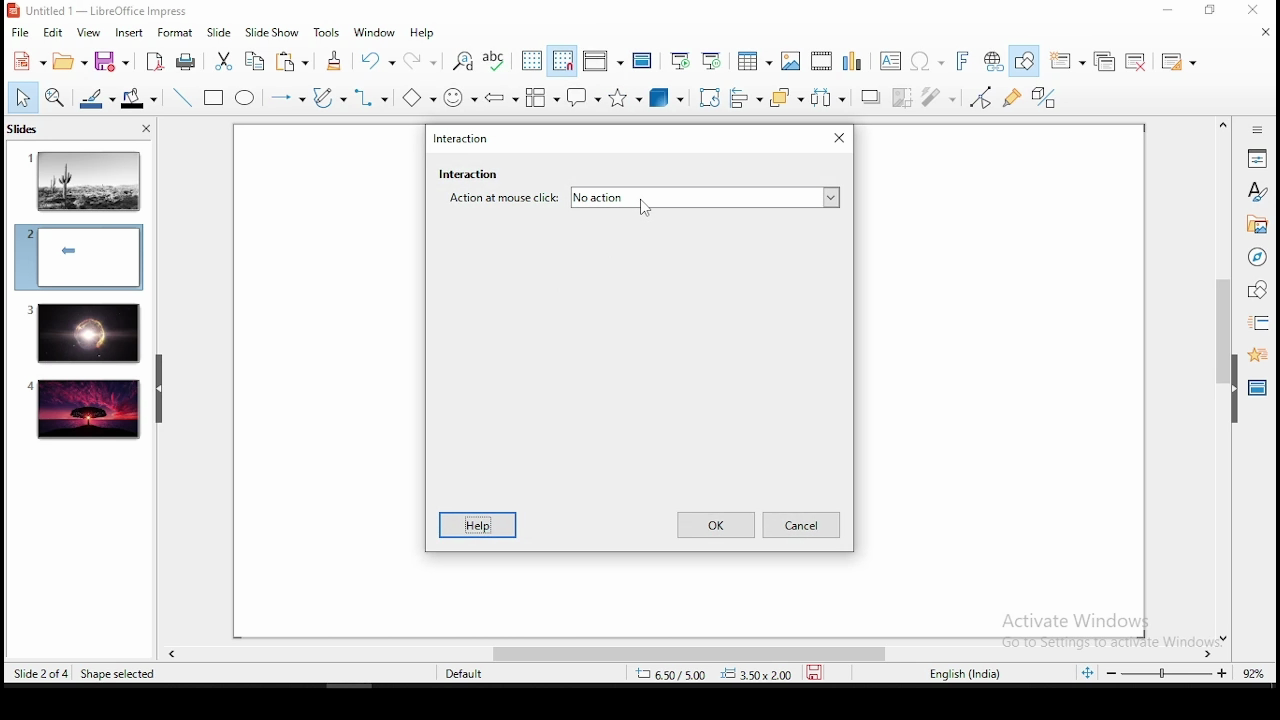  Describe the element at coordinates (1211, 11) in the screenshot. I see `restore` at that location.